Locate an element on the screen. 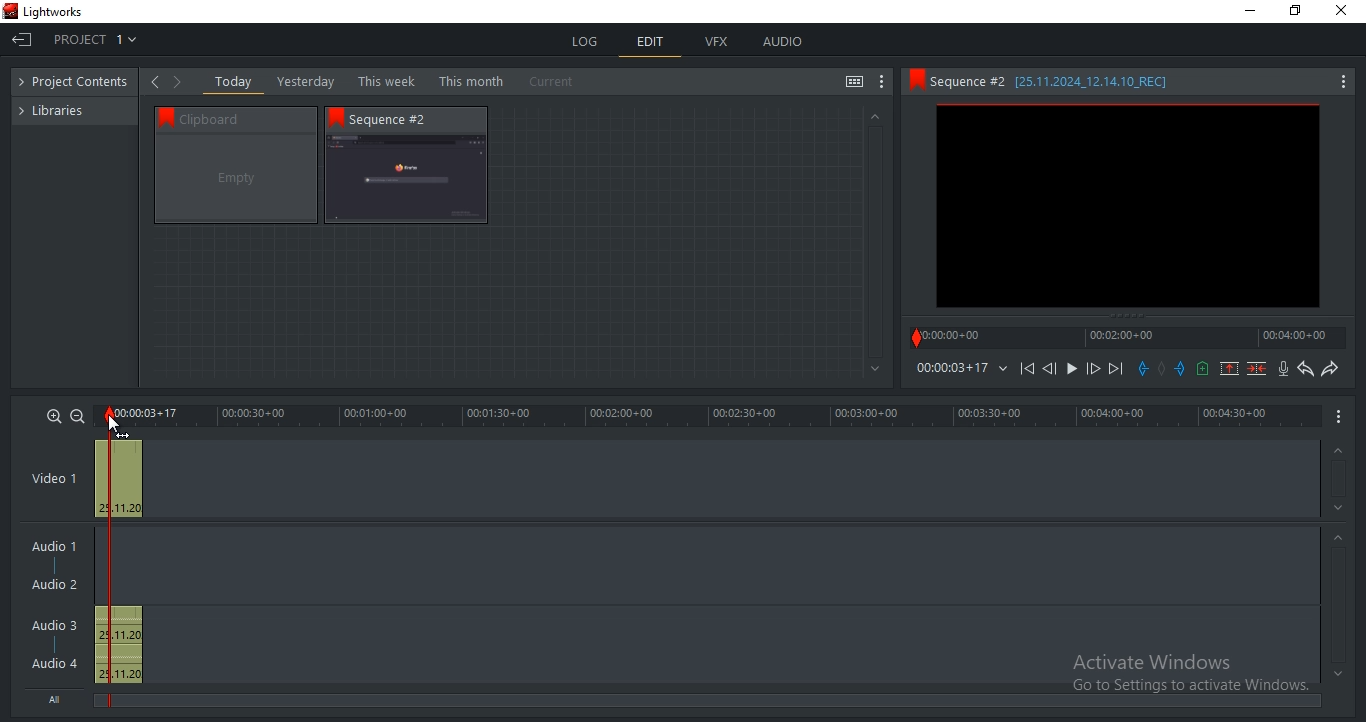  mark in is located at coordinates (1143, 368).